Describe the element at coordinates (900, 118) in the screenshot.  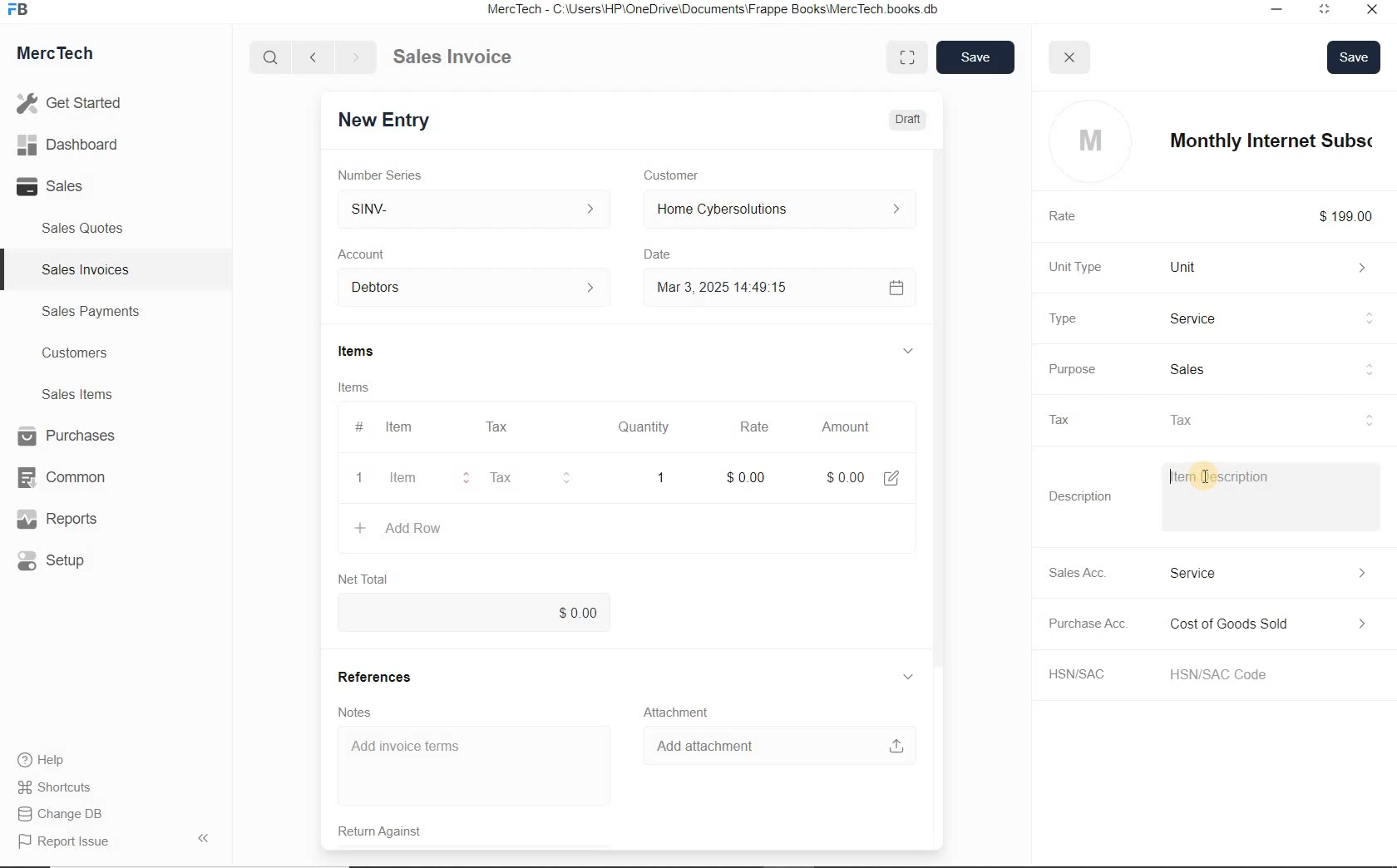
I see `Draft` at that location.